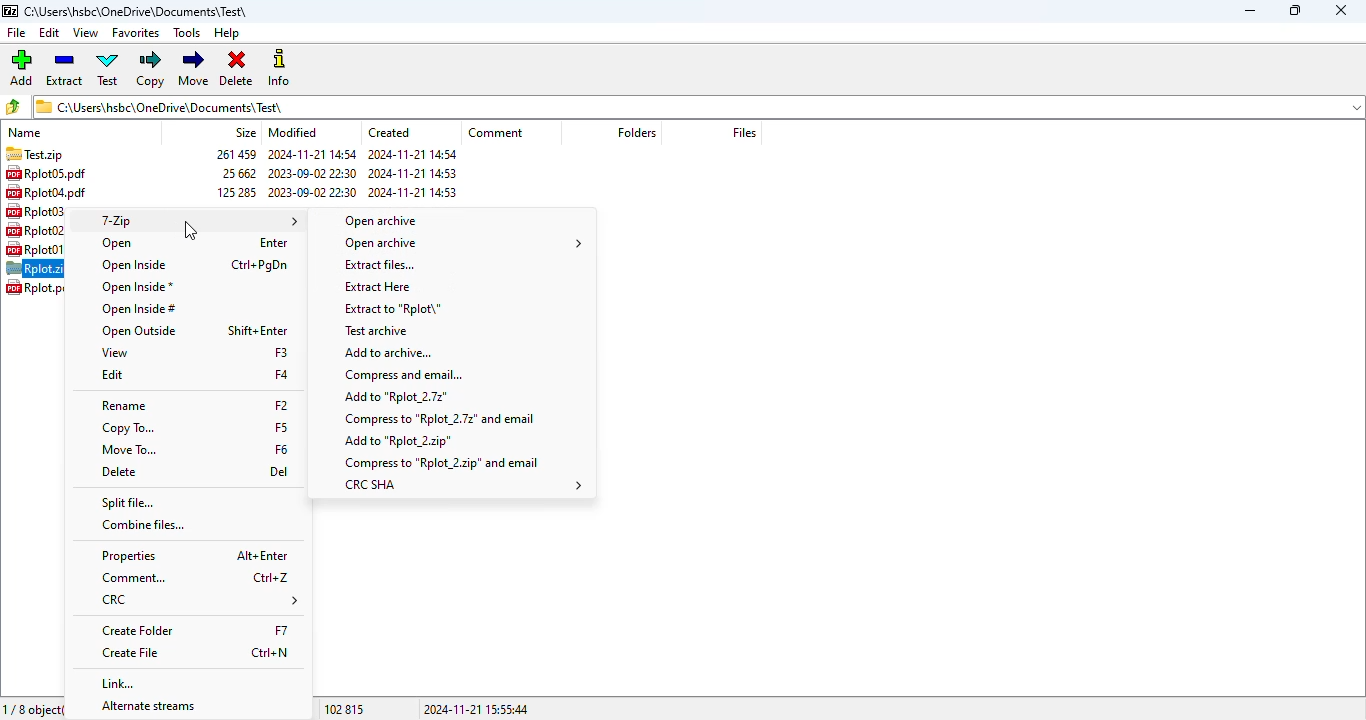  I want to click on minimize, so click(1251, 11).